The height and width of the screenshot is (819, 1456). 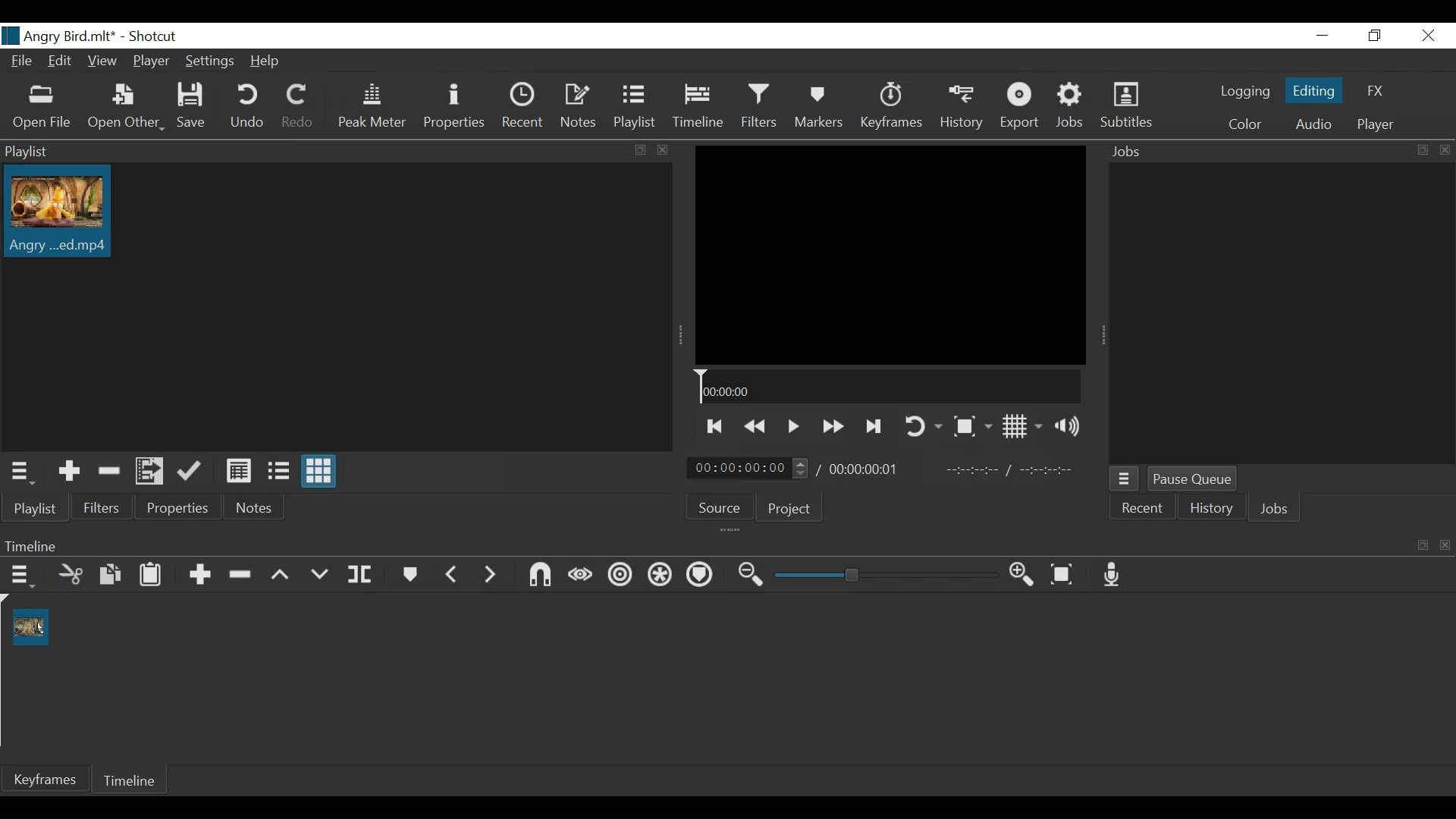 I want to click on Markers, so click(x=818, y=106).